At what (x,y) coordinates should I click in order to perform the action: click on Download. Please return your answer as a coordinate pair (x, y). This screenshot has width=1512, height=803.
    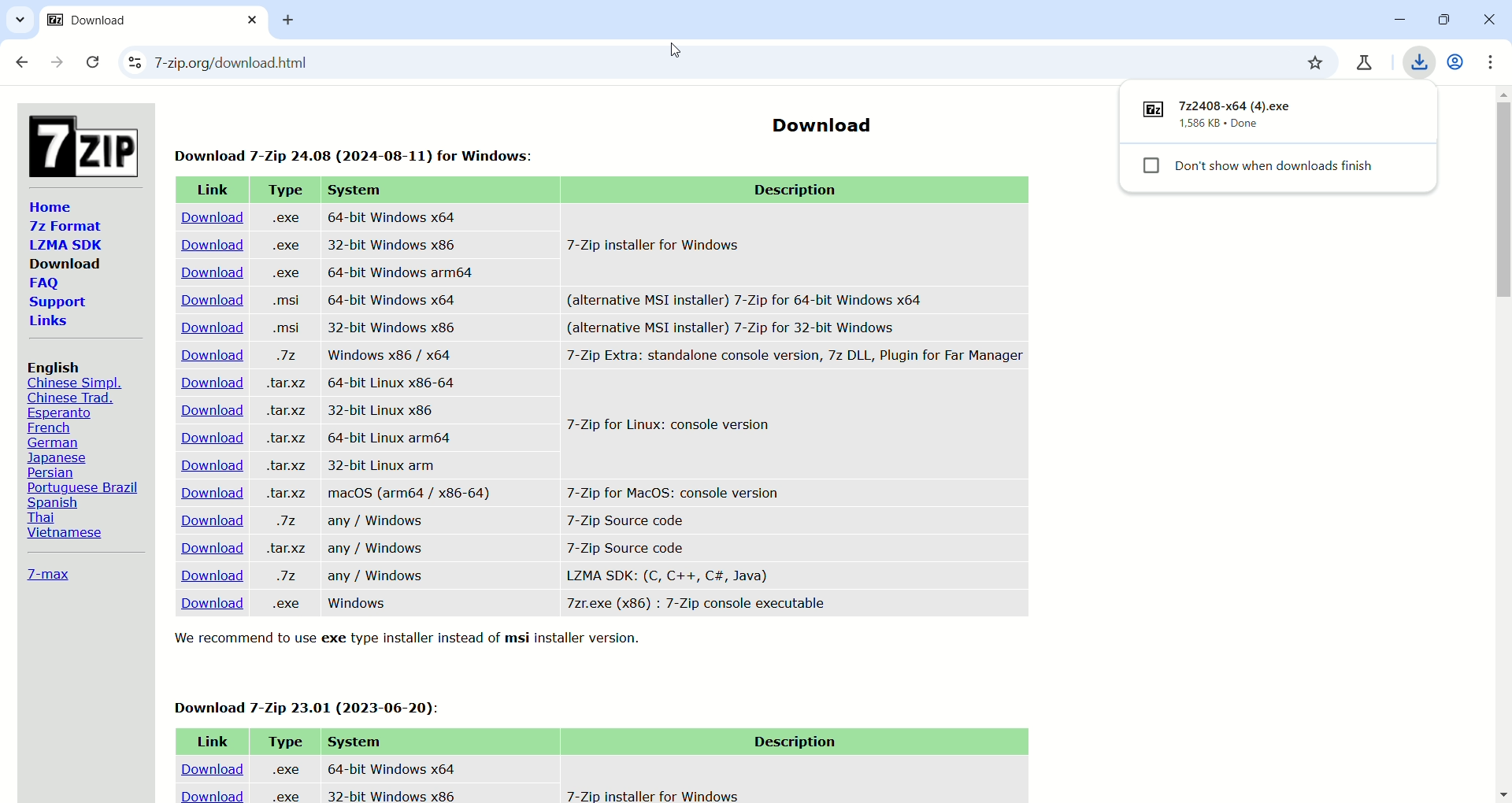
    Looking at the image, I should click on (209, 605).